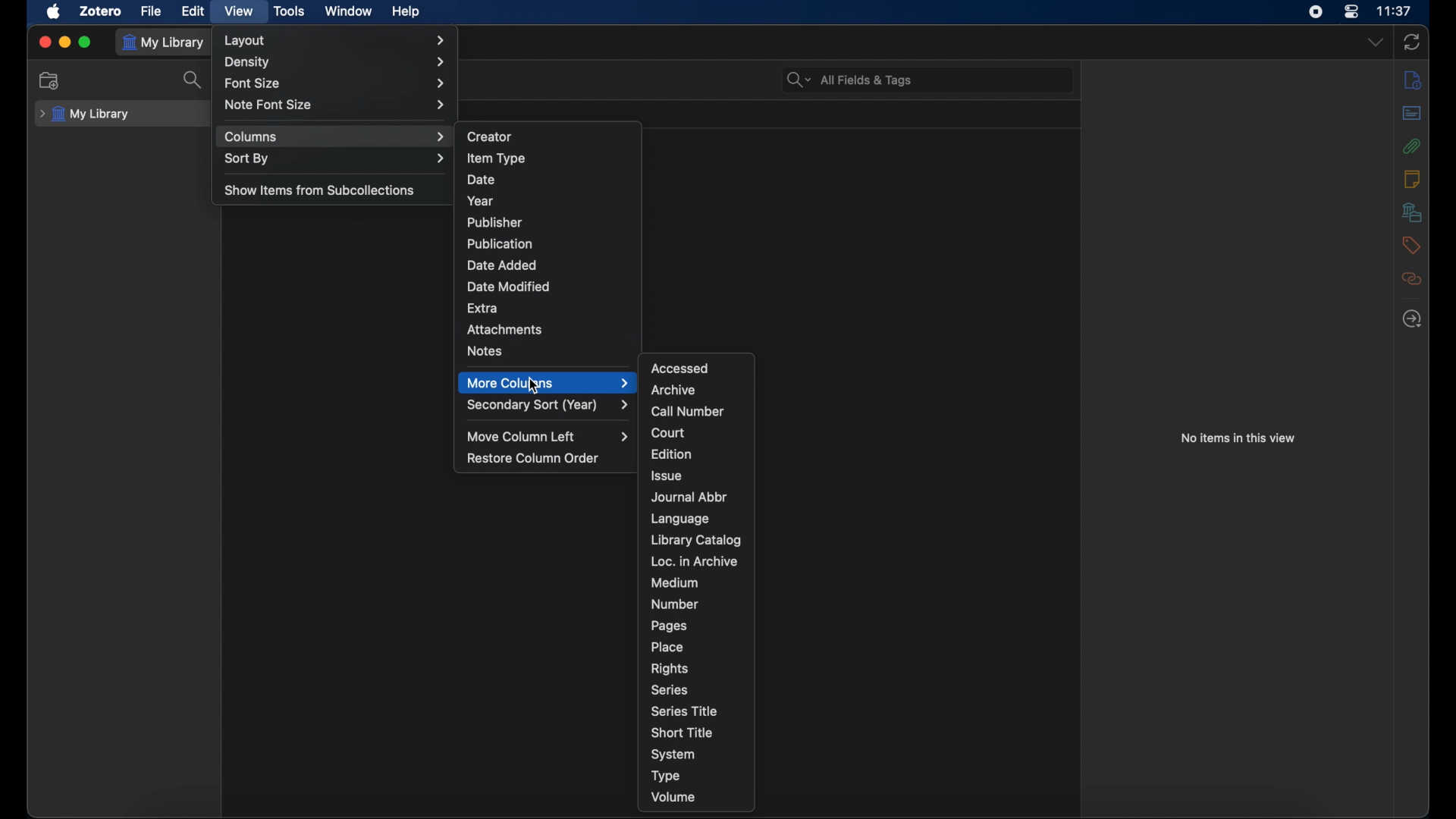 This screenshot has width=1456, height=819. Describe the element at coordinates (1412, 42) in the screenshot. I see `sync` at that location.